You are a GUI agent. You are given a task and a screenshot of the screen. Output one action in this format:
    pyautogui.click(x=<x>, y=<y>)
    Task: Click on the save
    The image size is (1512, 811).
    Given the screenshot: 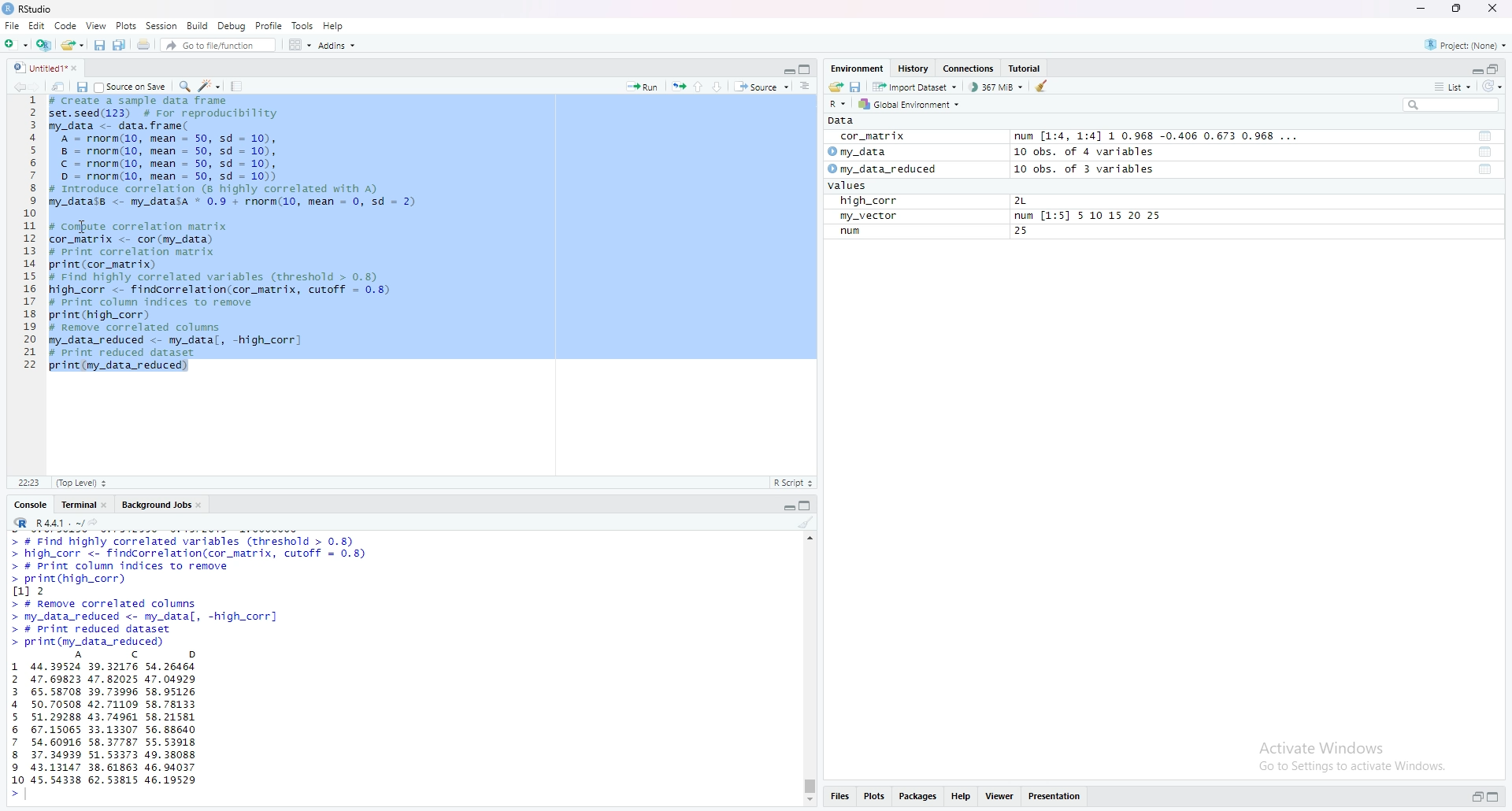 What is the action you would take?
    pyautogui.click(x=857, y=87)
    